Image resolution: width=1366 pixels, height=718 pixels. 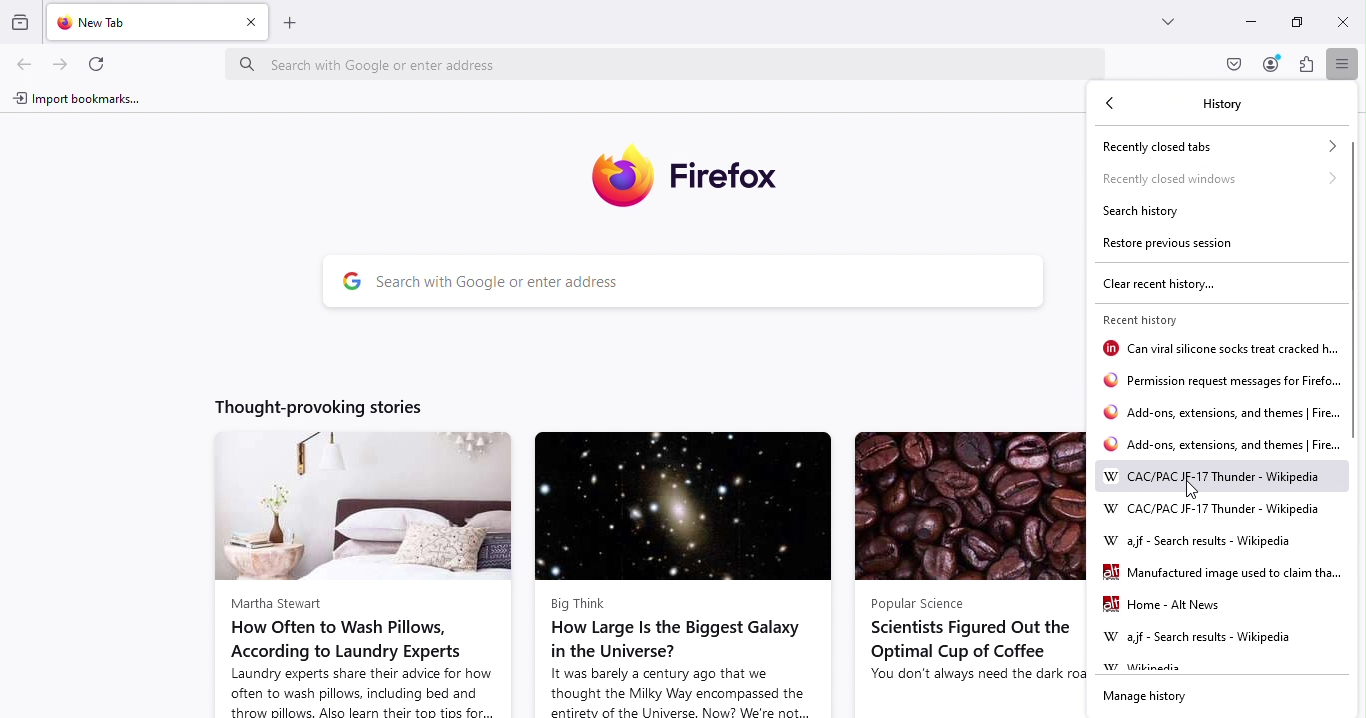 What do you see at coordinates (1218, 349) in the screenshot?
I see `Webpage link` at bounding box center [1218, 349].